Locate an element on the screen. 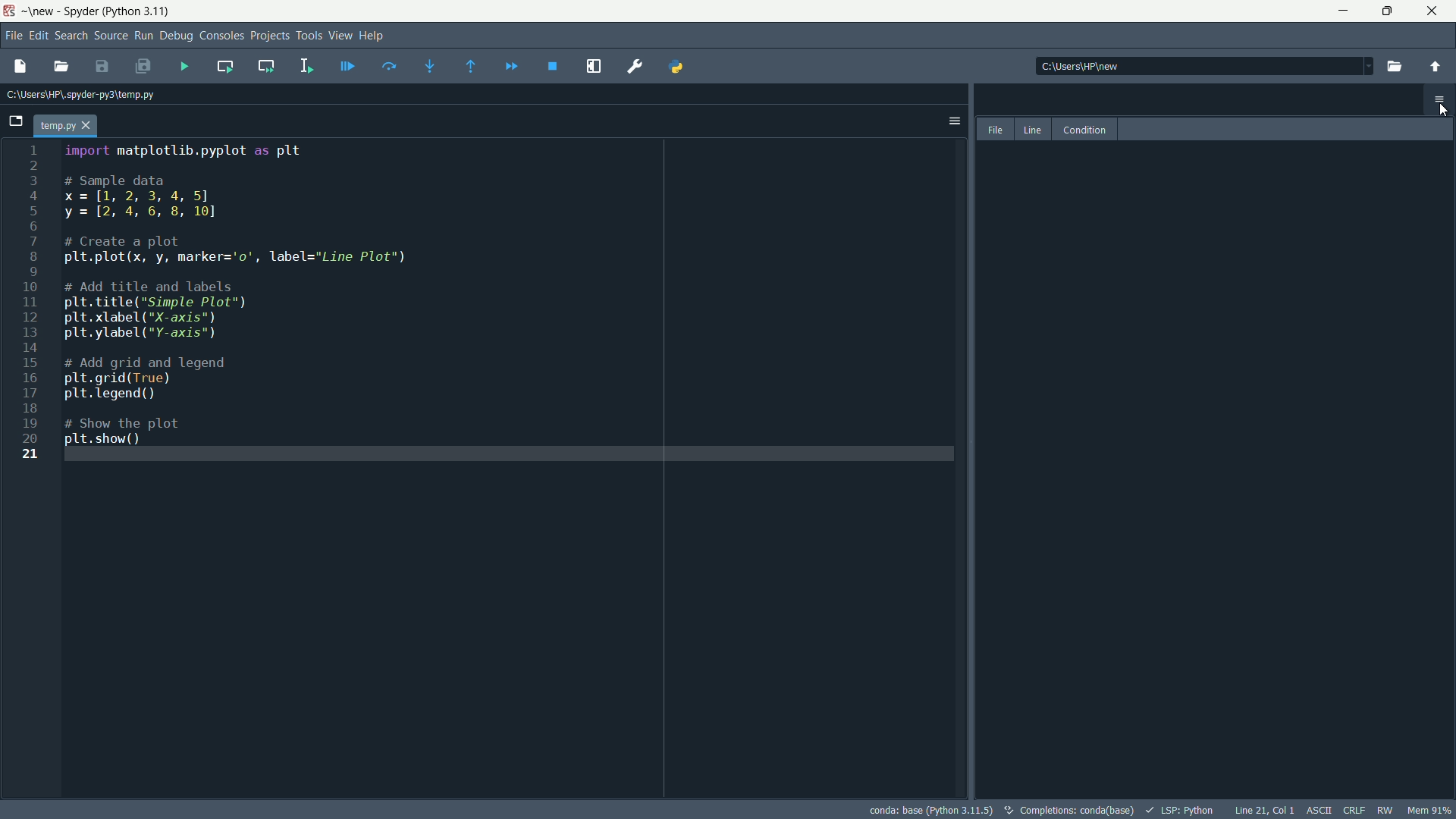 The image size is (1456, 819). cursor is located at coordinates (1443, 111).